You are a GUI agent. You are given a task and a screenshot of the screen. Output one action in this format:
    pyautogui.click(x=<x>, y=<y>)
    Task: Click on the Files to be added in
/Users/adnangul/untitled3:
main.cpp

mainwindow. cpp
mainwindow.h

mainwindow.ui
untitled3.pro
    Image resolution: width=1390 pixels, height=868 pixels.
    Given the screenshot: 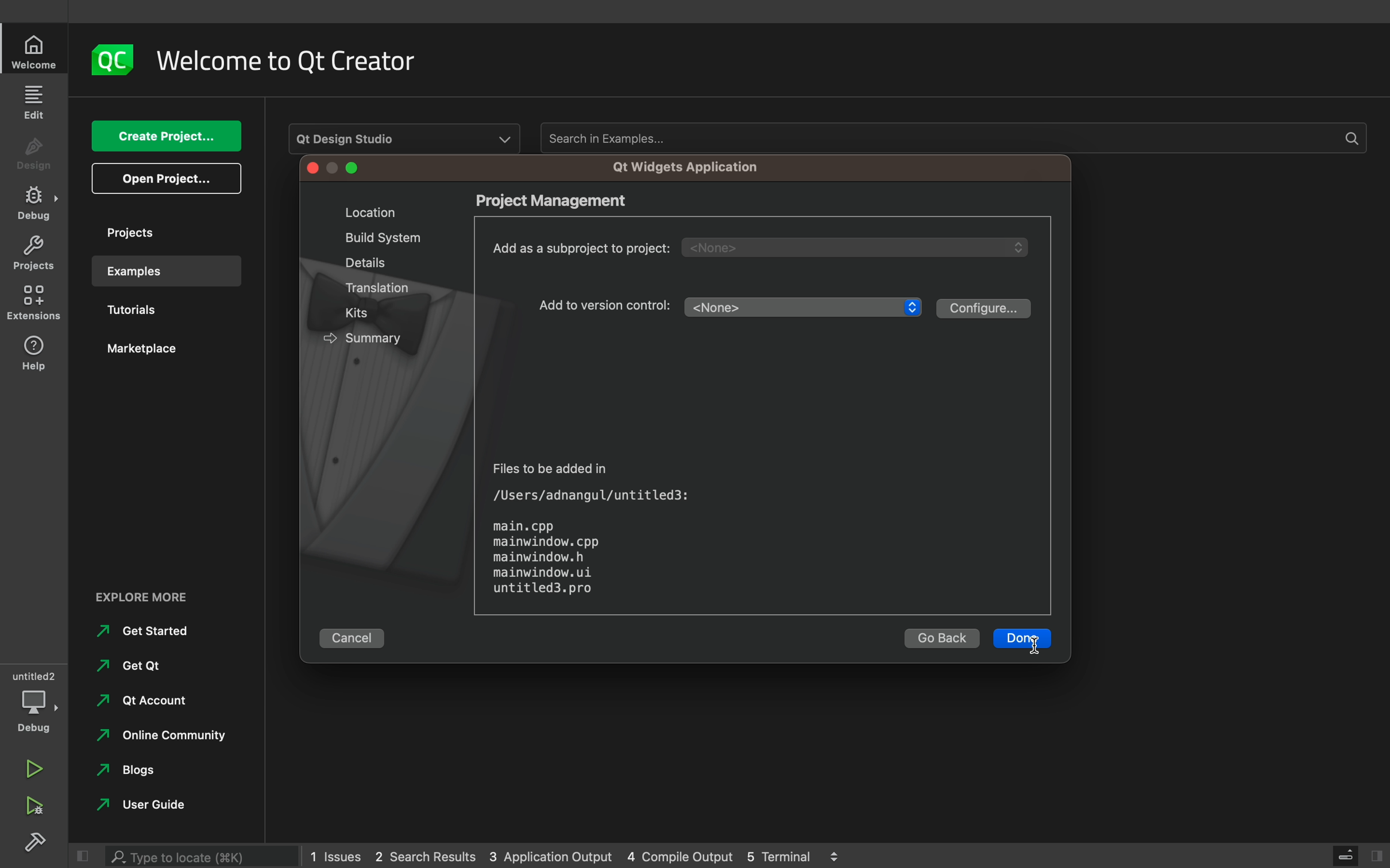 What is the action you would take?
    pyautogui.click(x=586, y=526)
    